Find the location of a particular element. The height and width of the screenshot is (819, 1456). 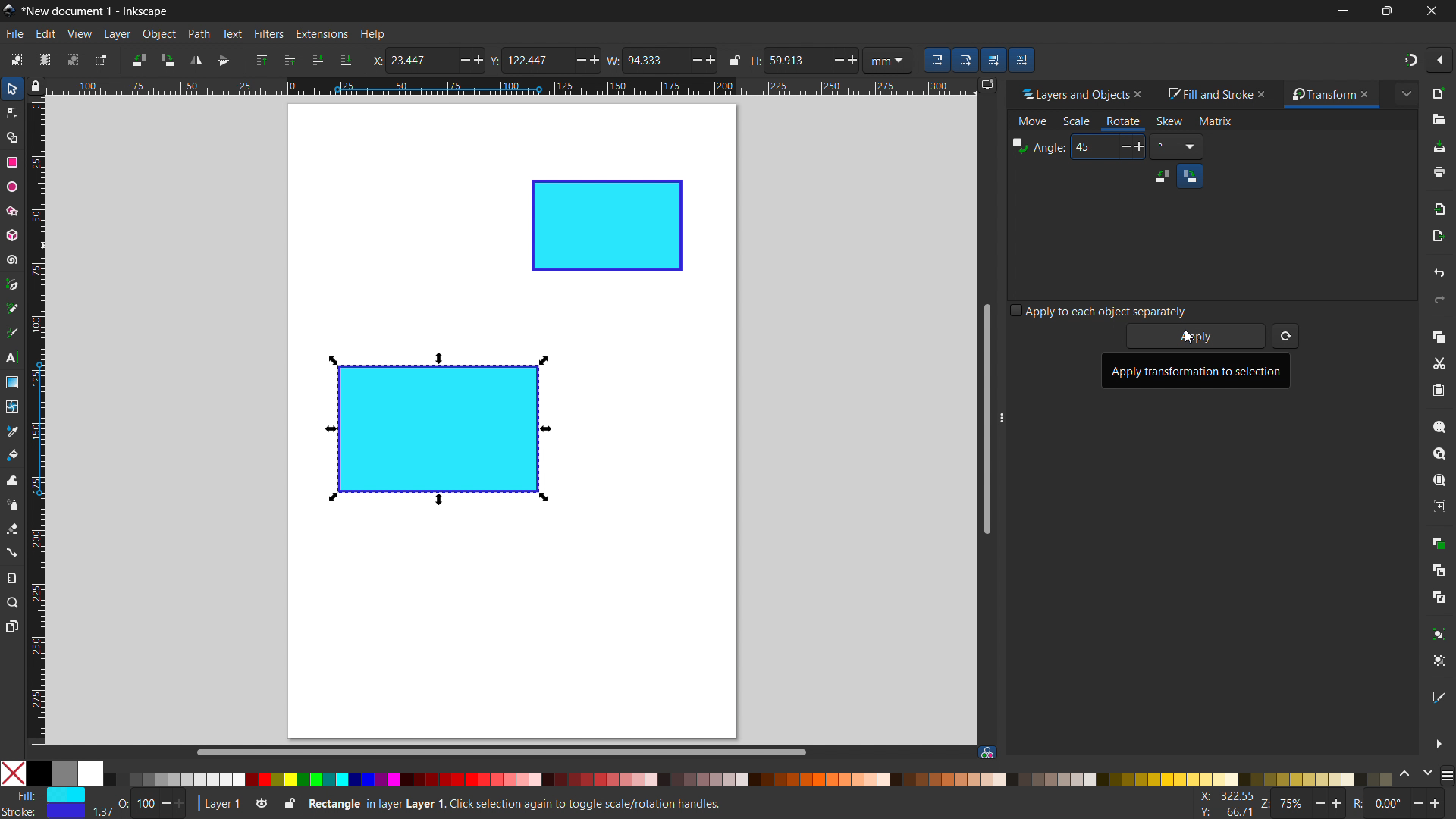

White is located at coordinates (90, 773).